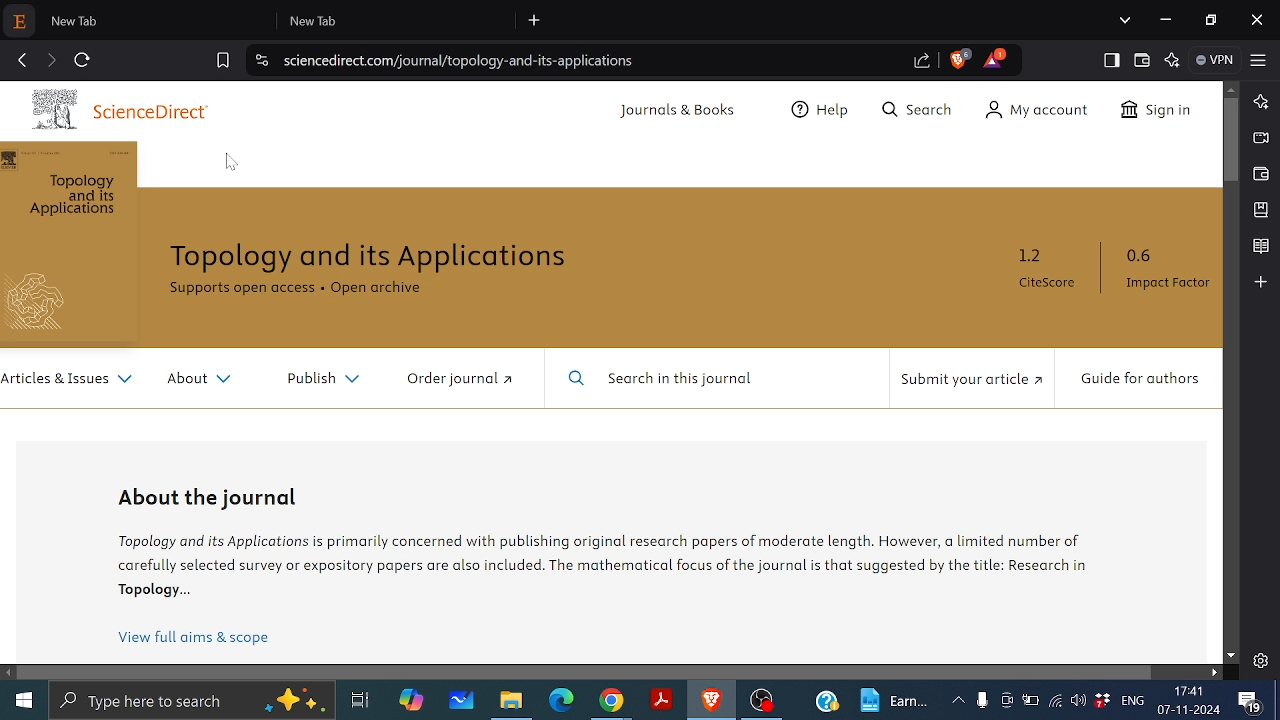 This screenshot has height=720, width=1280. Describe the element at coordinates (317, 375) in the screenshot. I see `Publish` at that location.